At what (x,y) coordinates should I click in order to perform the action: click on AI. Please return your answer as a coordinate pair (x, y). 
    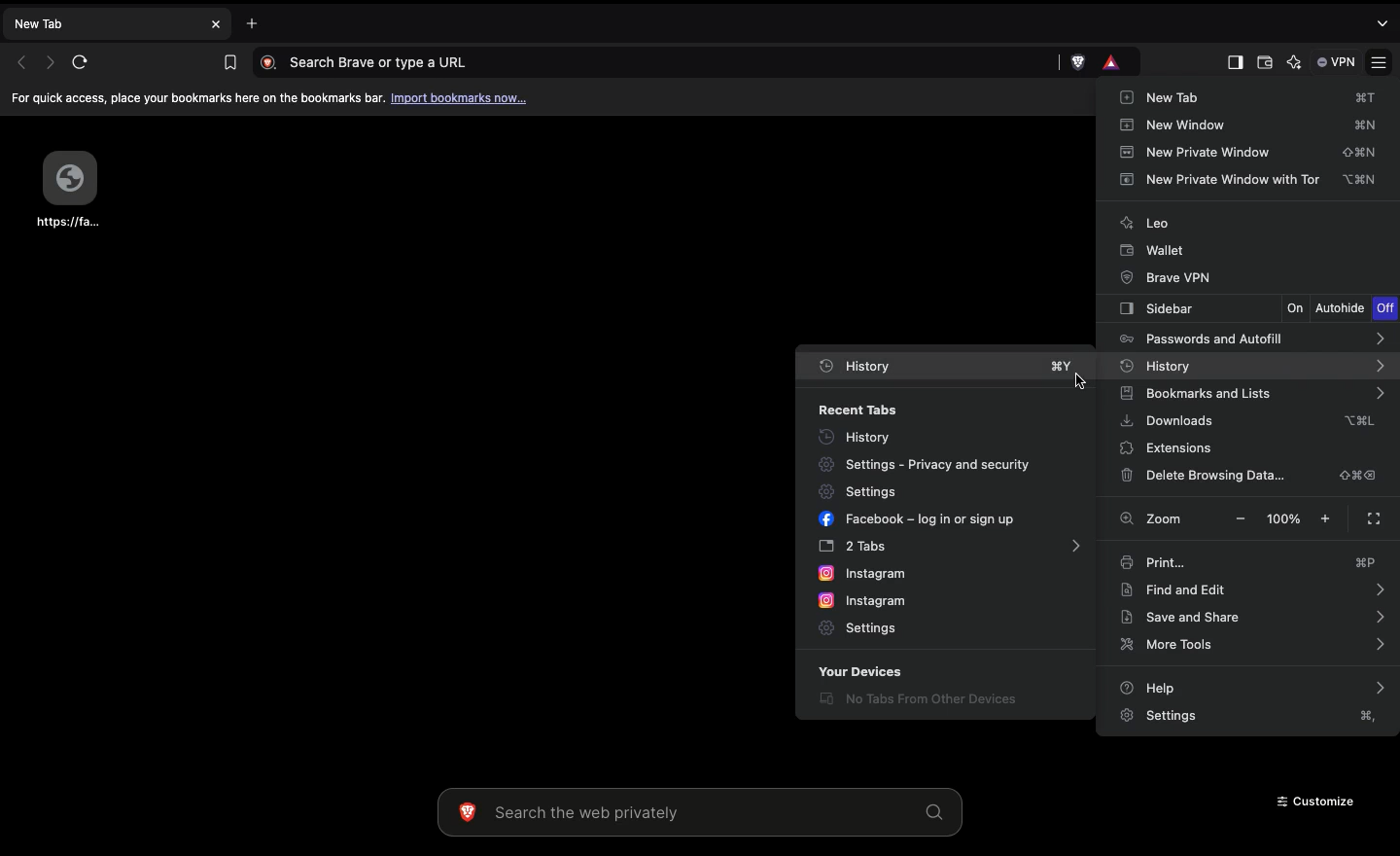
    Looking at the image, I should click on (1292, 62).